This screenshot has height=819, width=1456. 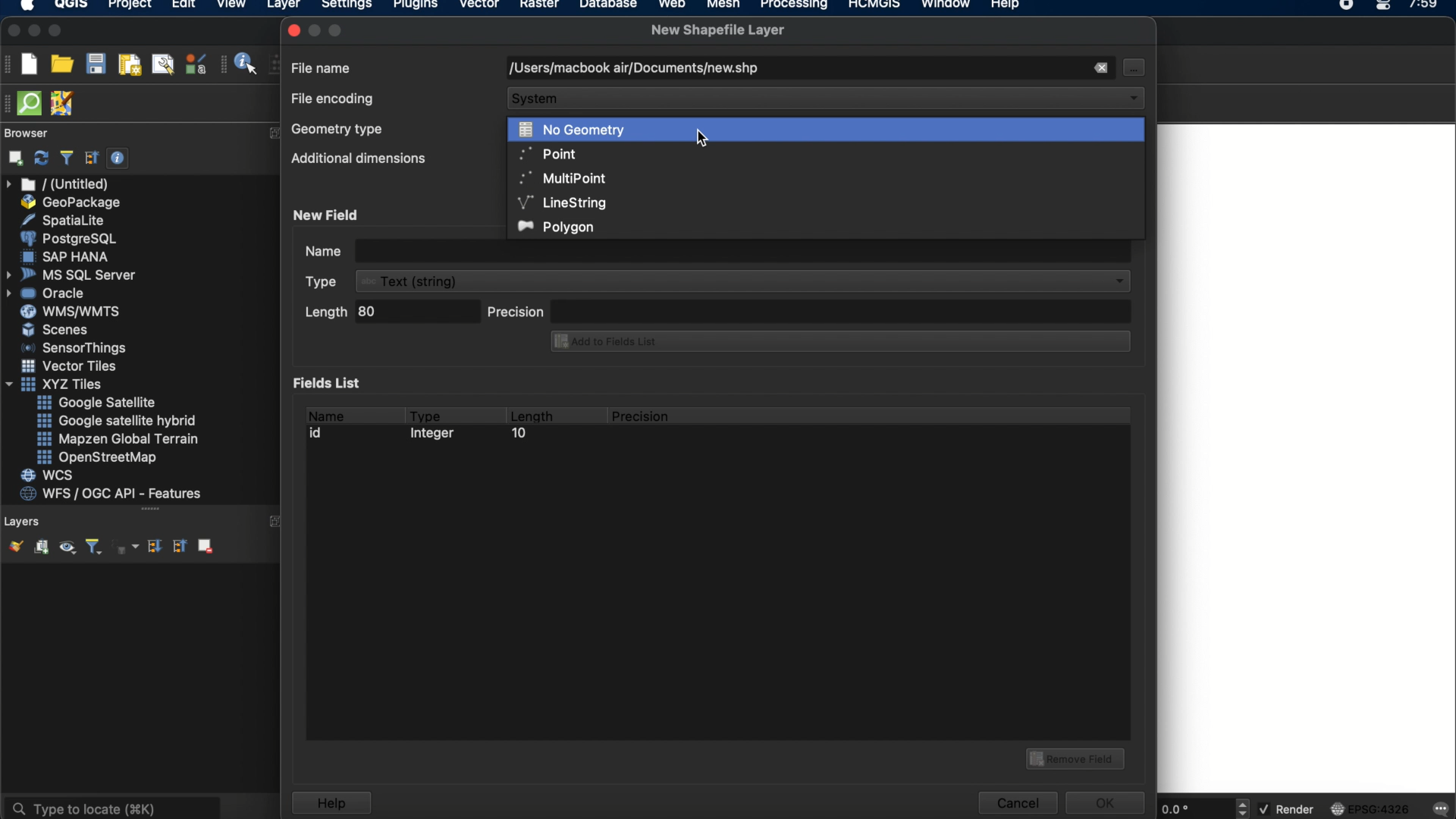 What do you see at coordinates (563, 202) in the screenshot?
I see `line string` at bounding box center [563, 202].